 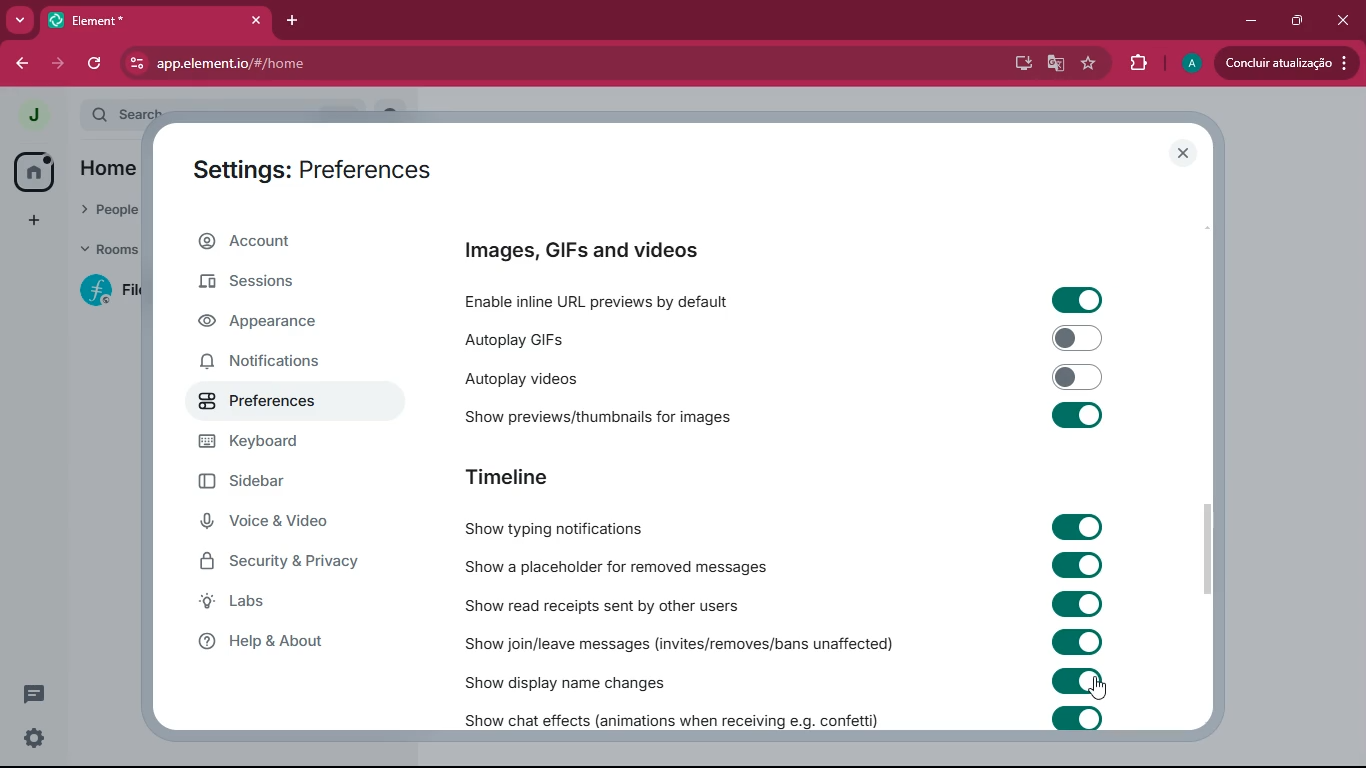 I want to click on favourite, so click(x=1089, y=64).